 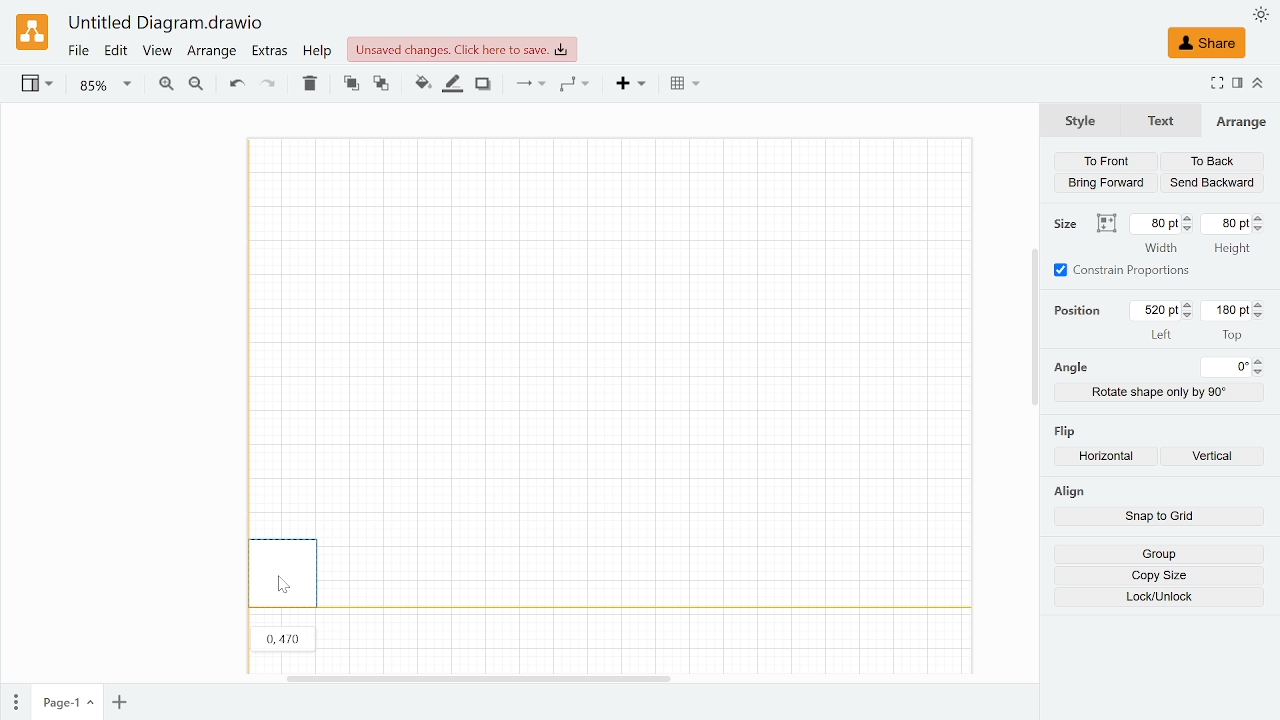 What do you see at coordinates (1258, 83) in the screenshot?
I see `Collapse /expamd` at bounding box center [1258, 83].